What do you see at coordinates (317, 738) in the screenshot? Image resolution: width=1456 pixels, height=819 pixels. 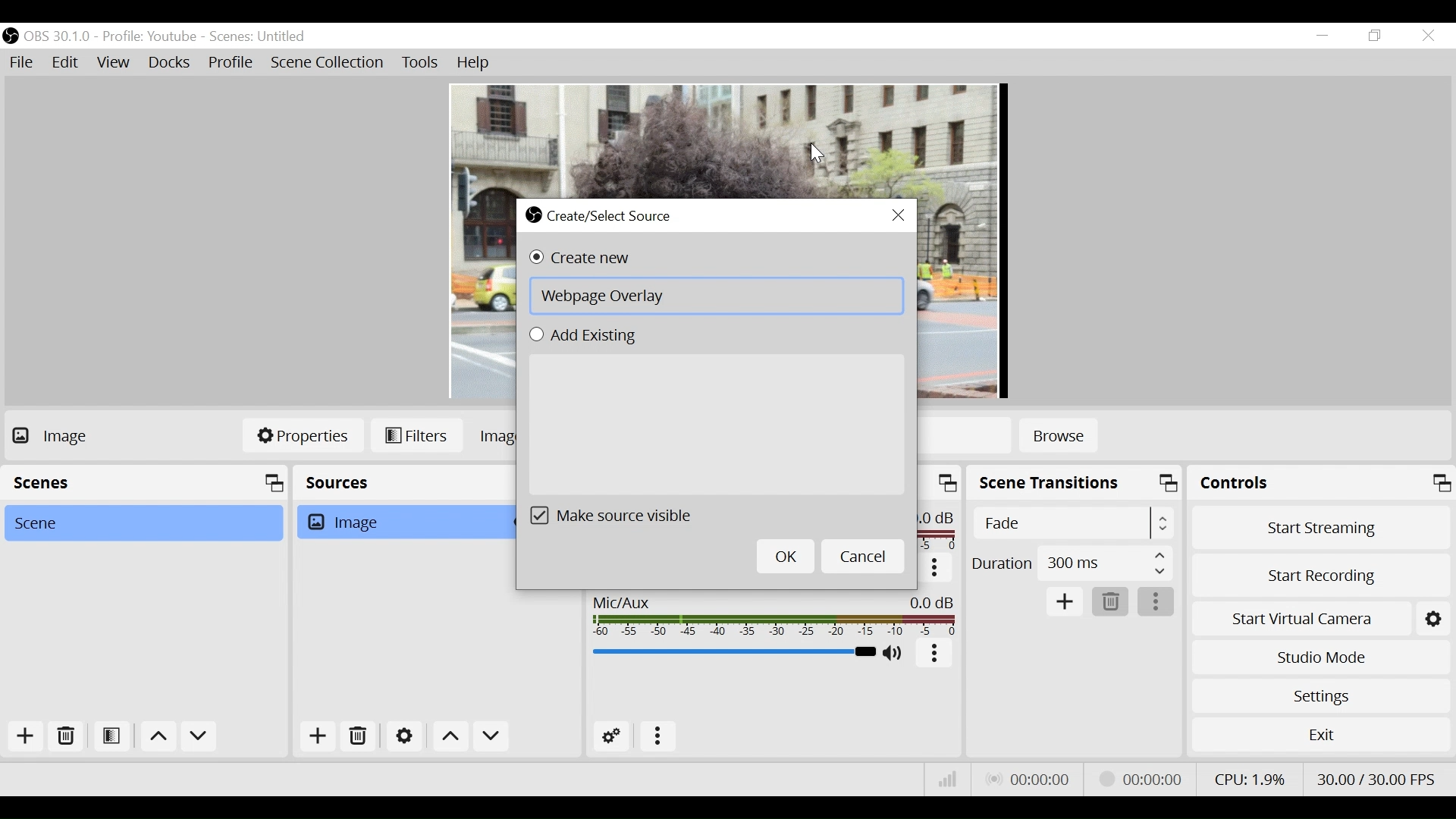 I see `Add Source` at bounding box center [317, 738].